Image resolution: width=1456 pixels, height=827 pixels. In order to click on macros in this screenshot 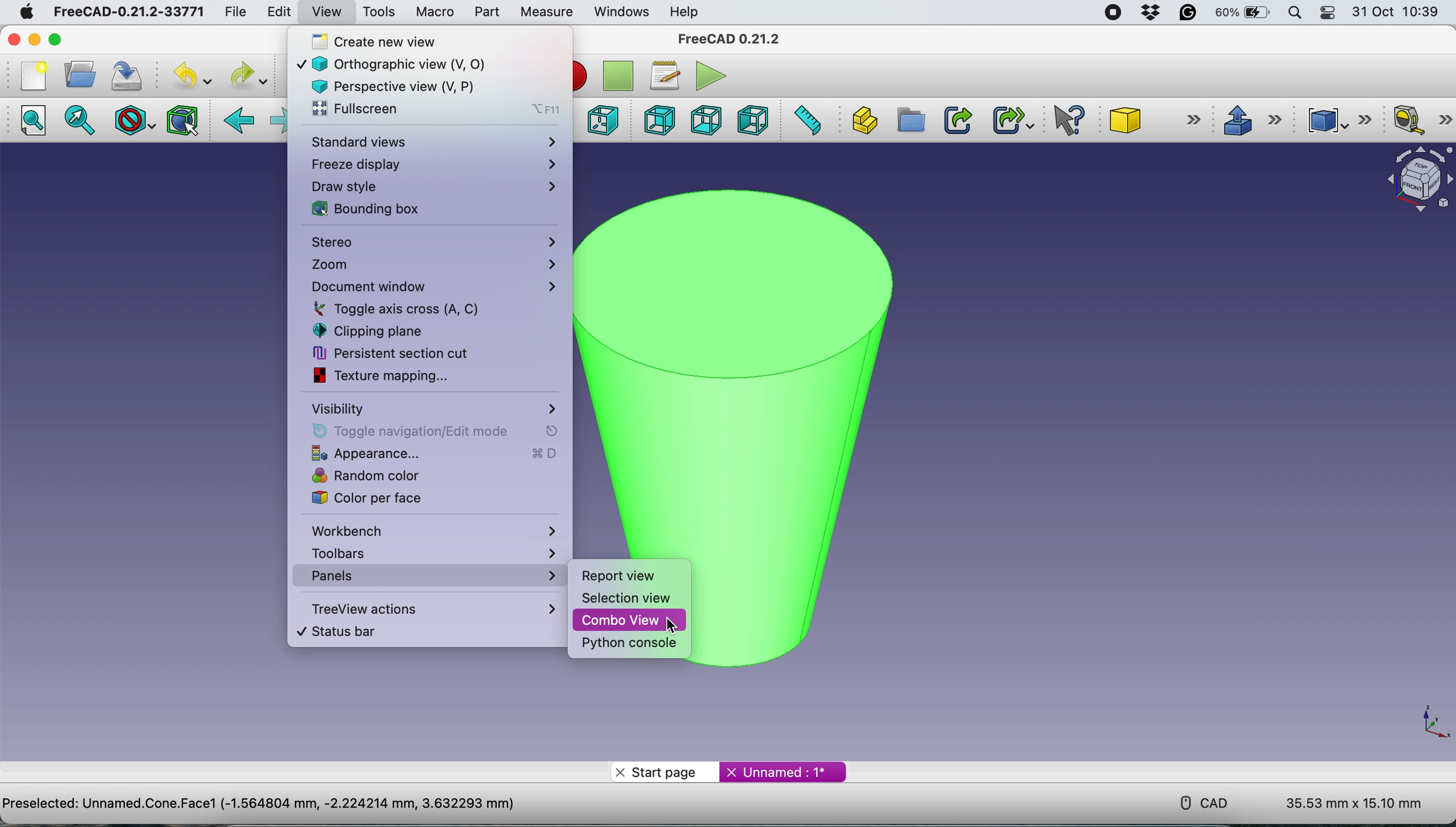, I will do `click(664, 73)`.